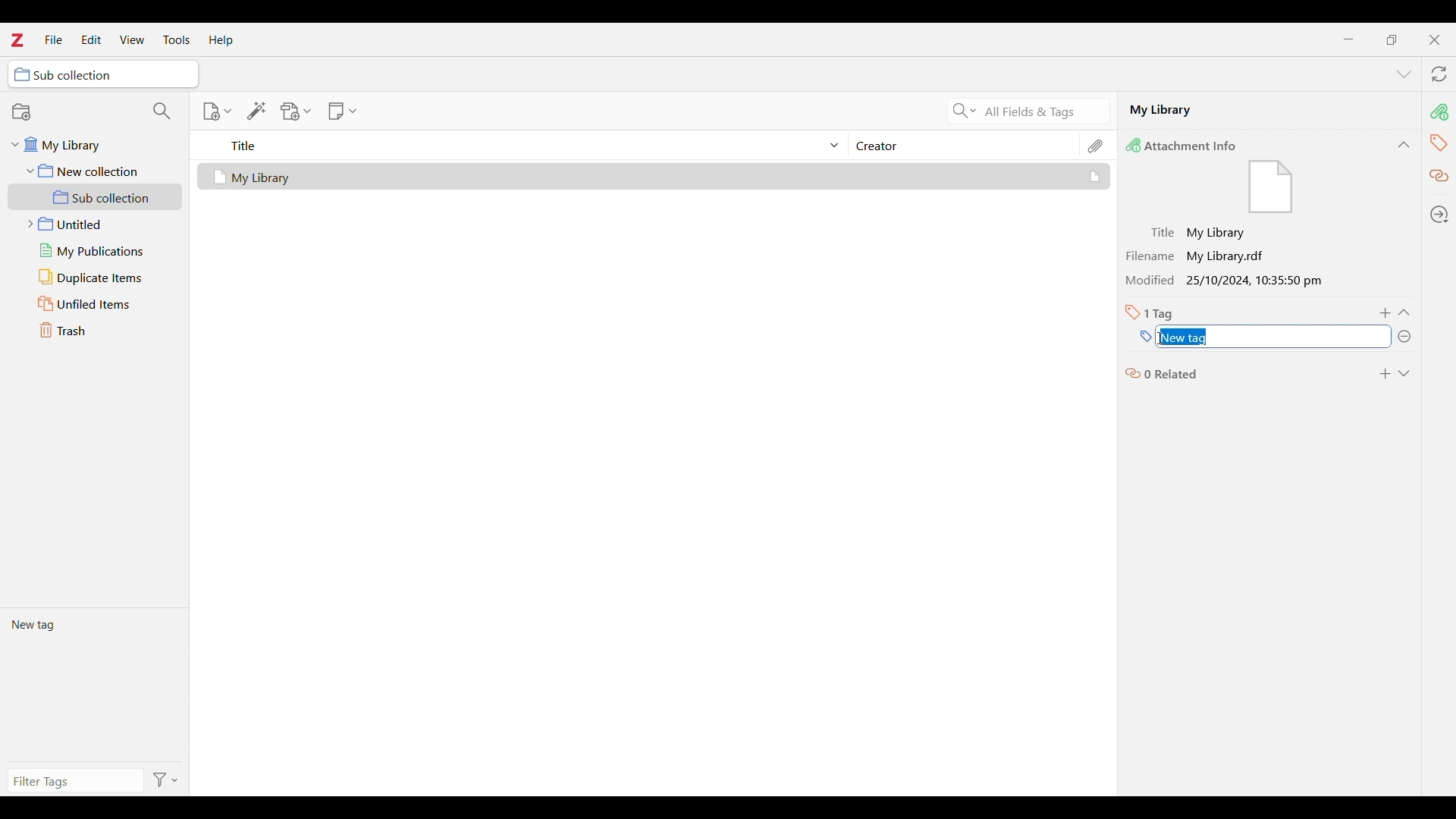 Image resolution: width=1456 pixels, height=819 pixels. What do you see at coordinates (1271, 188) in the screenshot?
I see `` at bounding box center [1271, 188].